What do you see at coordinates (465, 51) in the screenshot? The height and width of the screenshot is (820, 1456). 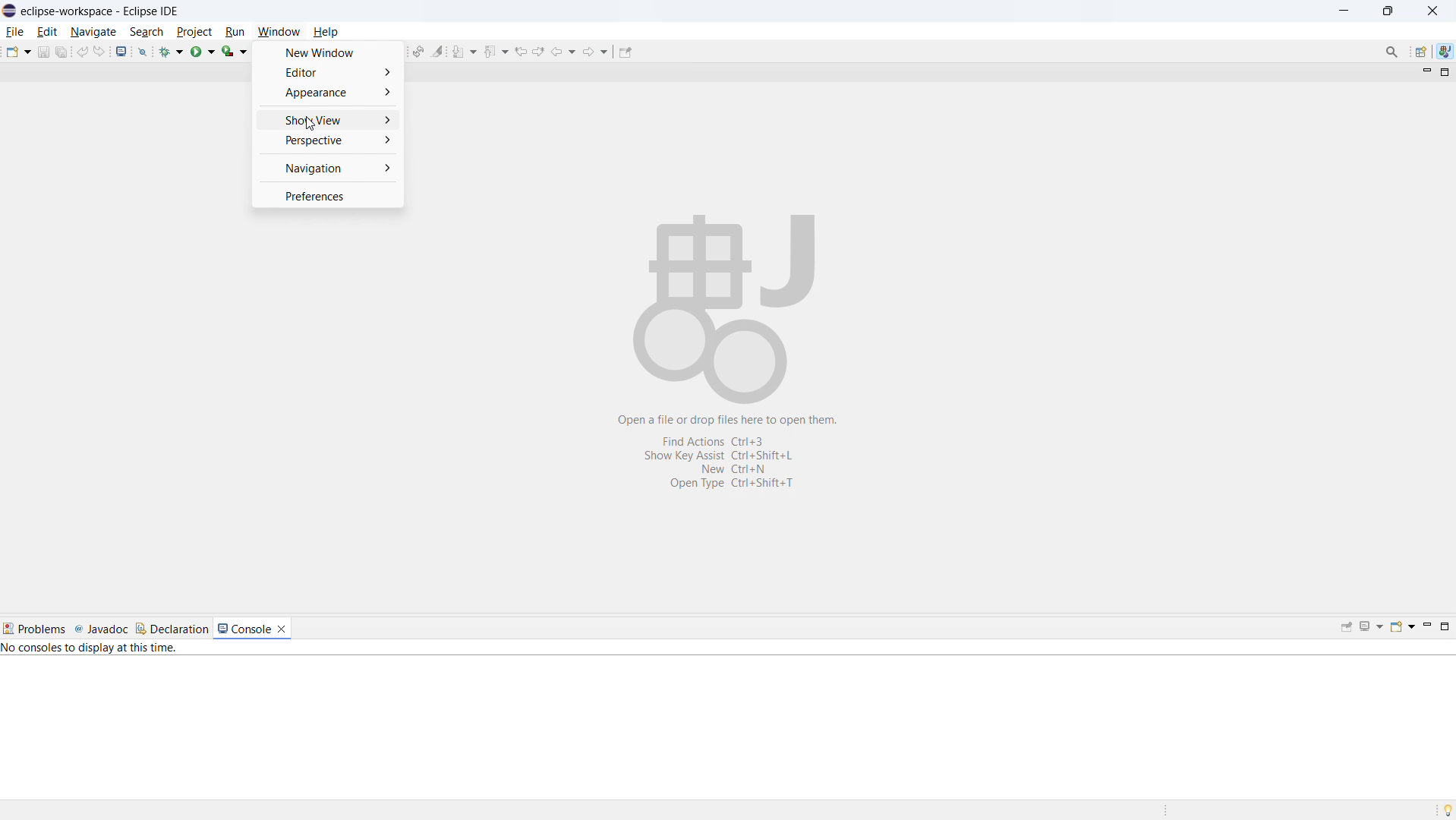 I see `next annotation` at bounding box center [465, 51].